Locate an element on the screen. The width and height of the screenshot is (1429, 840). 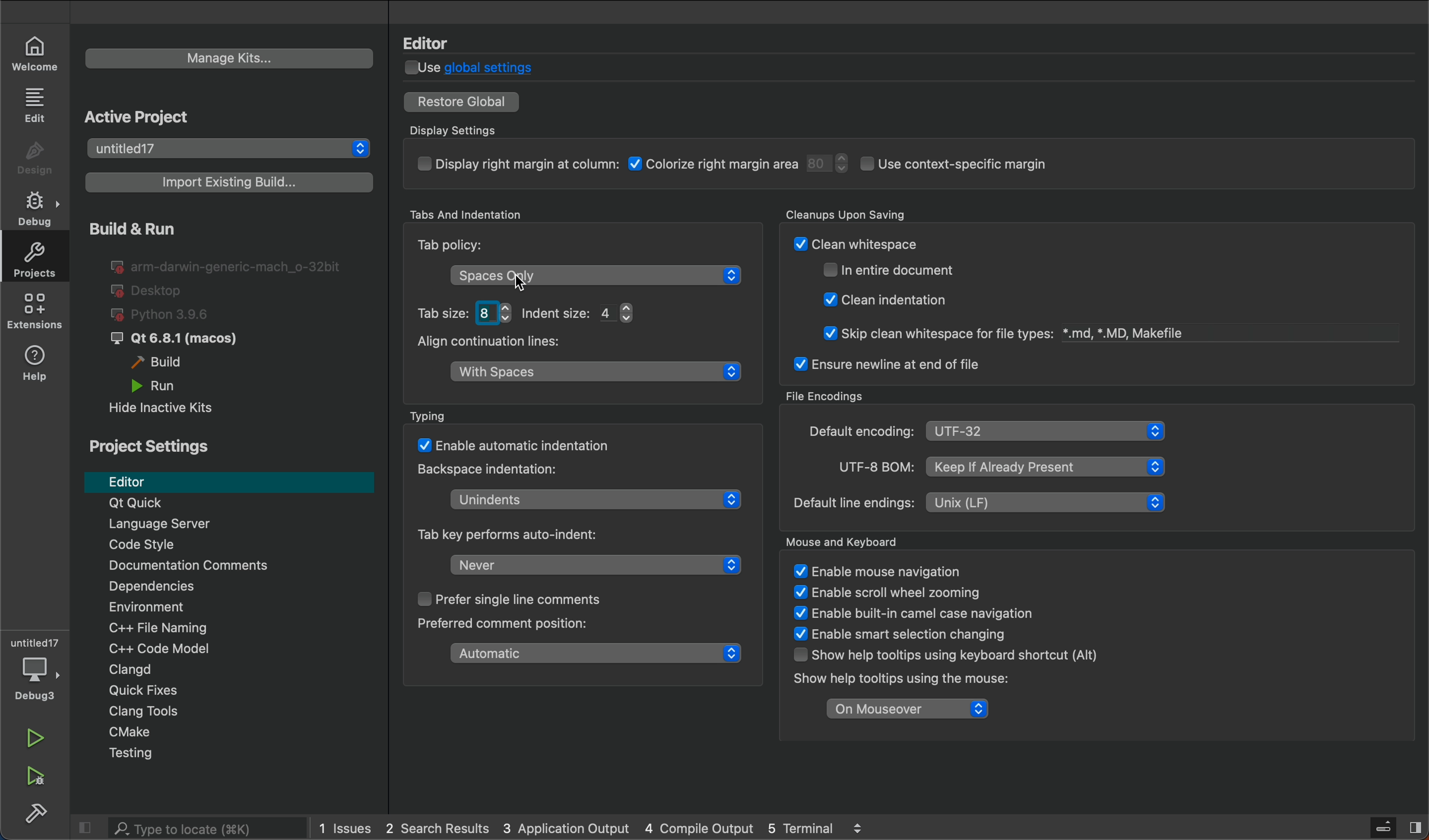
show help tootlips is located at coordinates (894, 681).